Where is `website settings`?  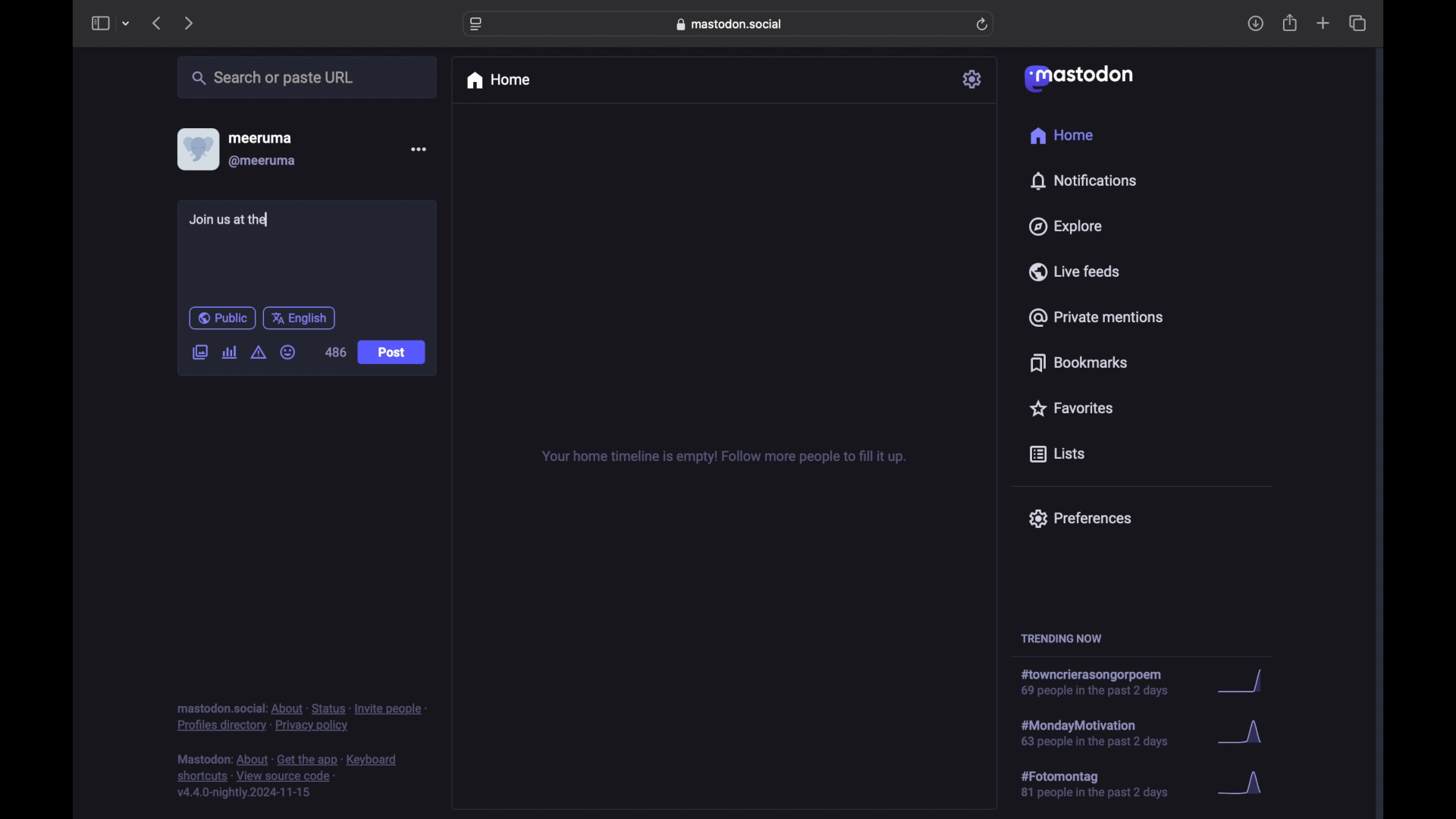
website settings is located at coordinates (478, 24).